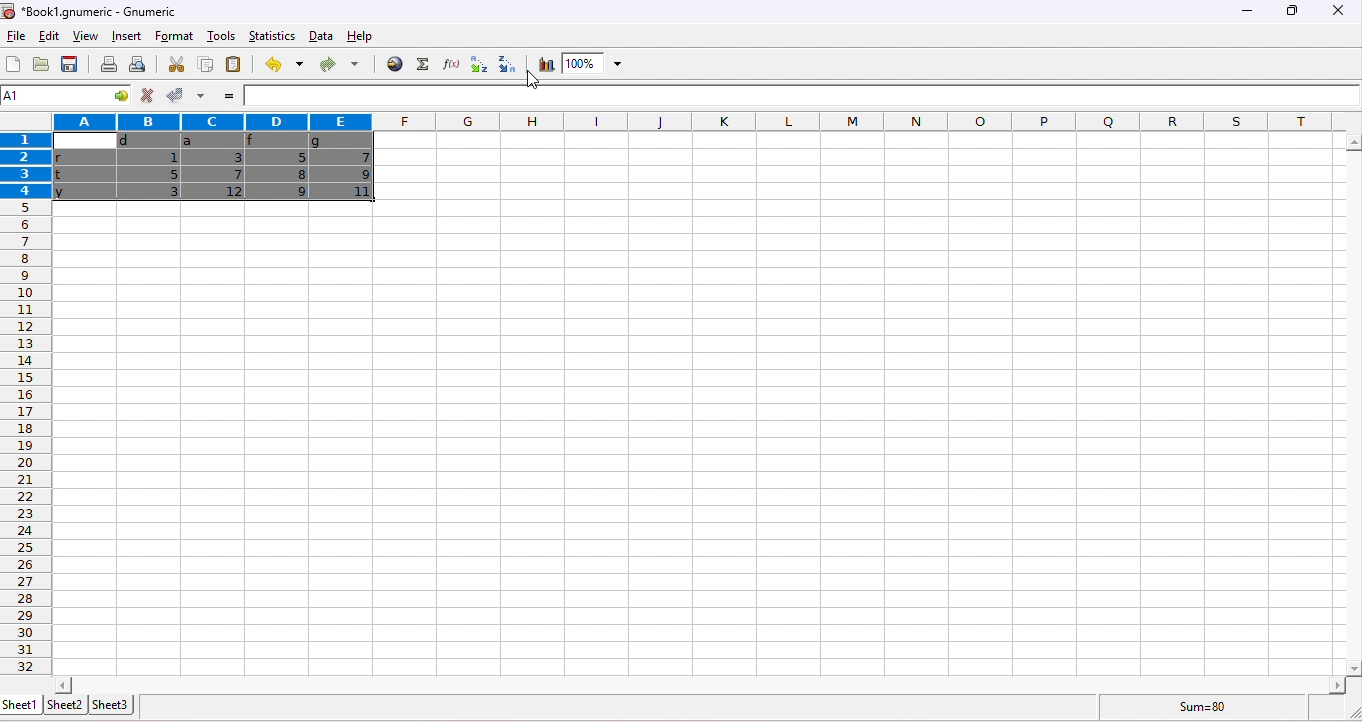 This screenshot has width=1362, height=722. What do you see at coordinates (1293, 13) in the screenshot?
I see `maximize` at bounding box center [1293, 13].